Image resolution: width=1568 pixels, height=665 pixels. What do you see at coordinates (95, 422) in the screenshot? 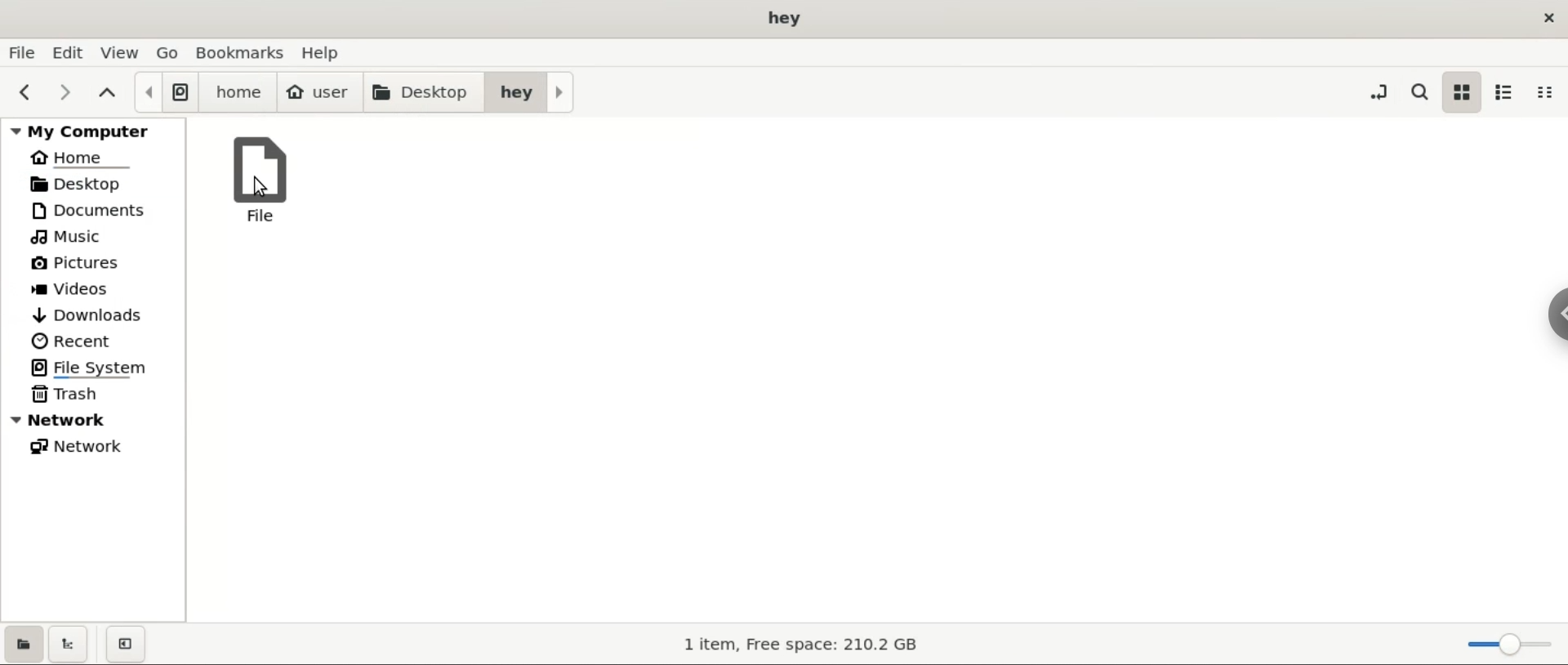
I see `ntework` at bounding box center [95, 422].